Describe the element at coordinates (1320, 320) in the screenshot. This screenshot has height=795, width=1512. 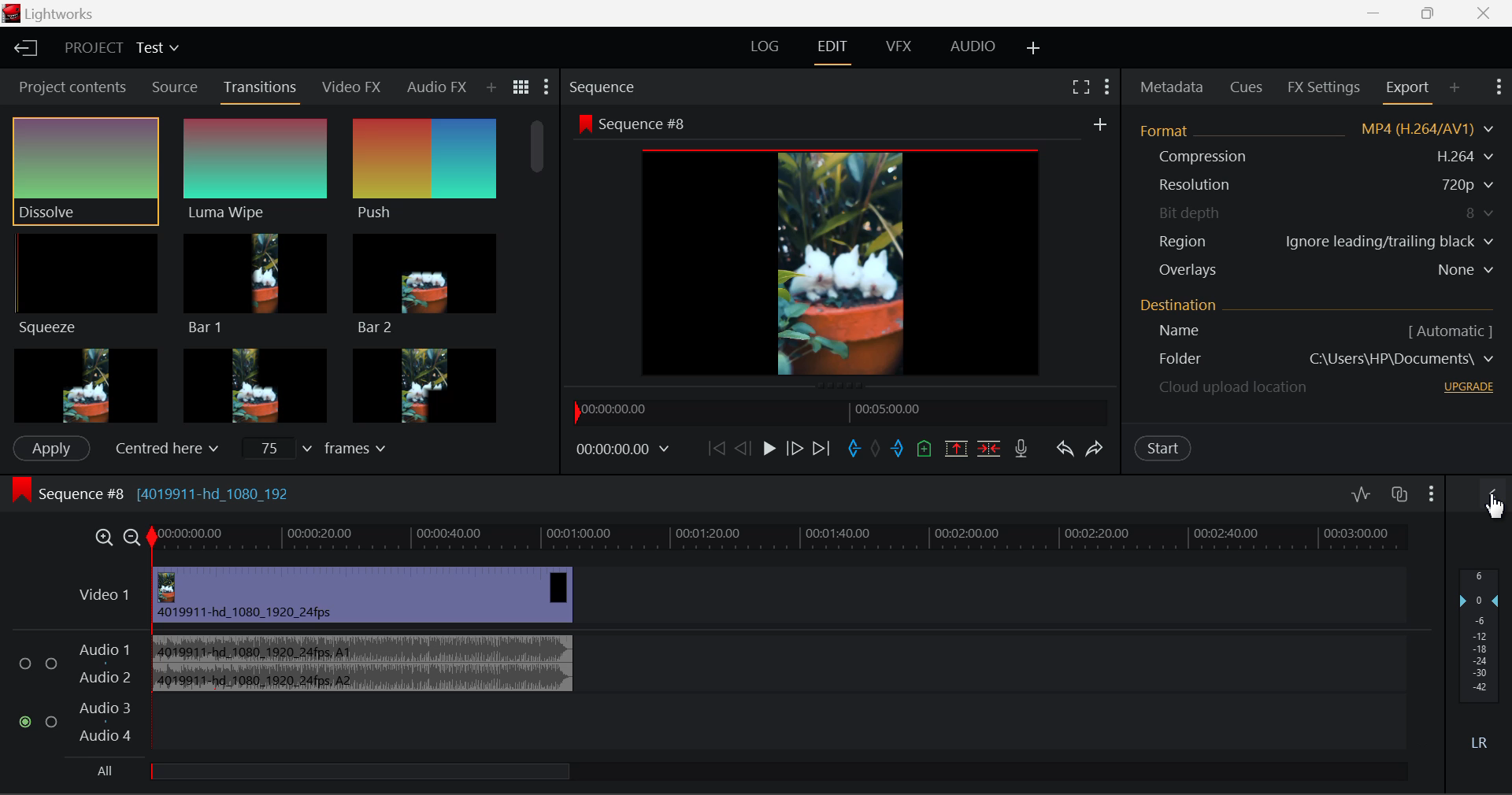
I see `Destination Details` at that location.